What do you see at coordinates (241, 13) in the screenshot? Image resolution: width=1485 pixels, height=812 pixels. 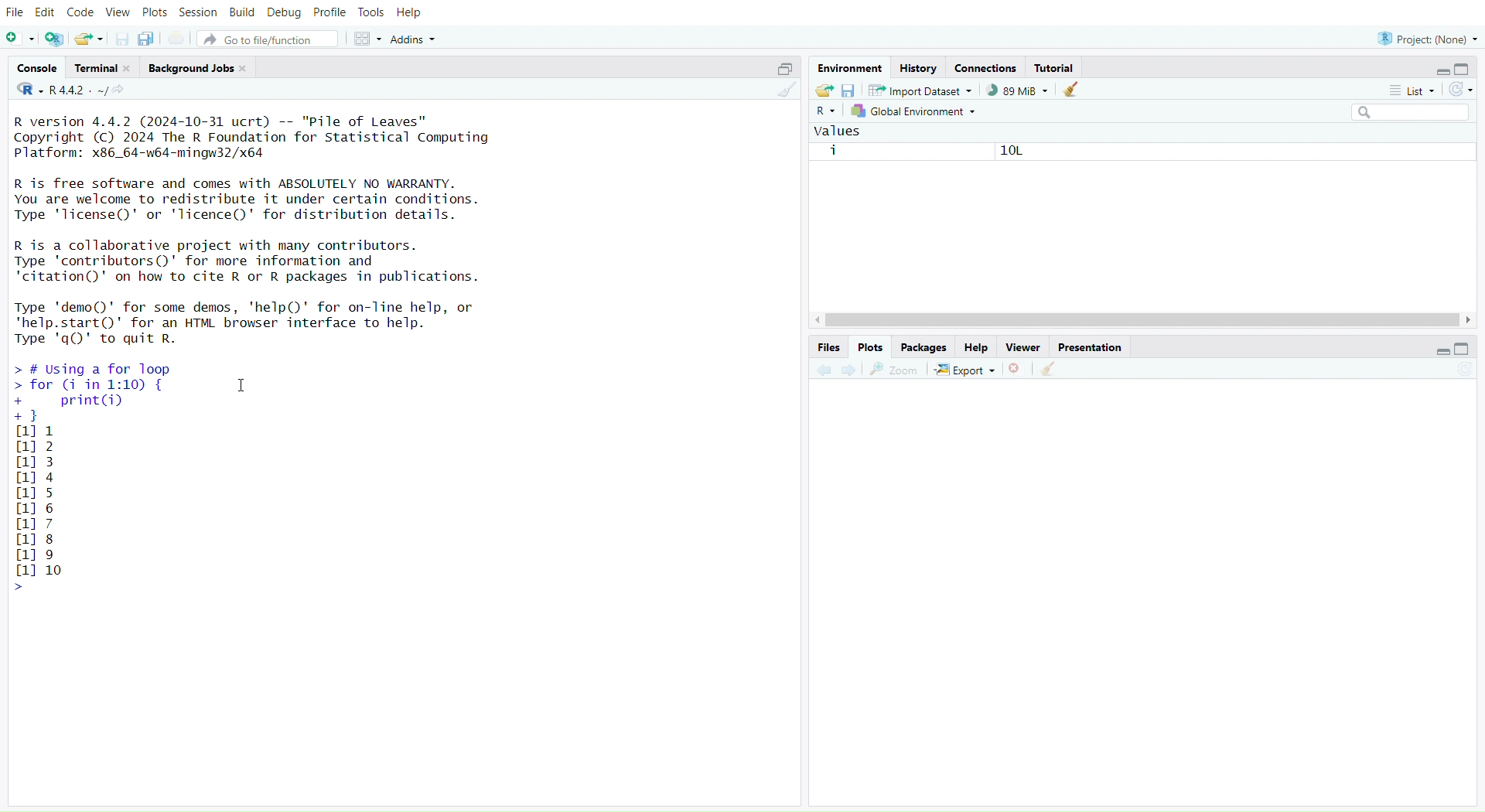 I see `build` at bounding box center [241, 13].